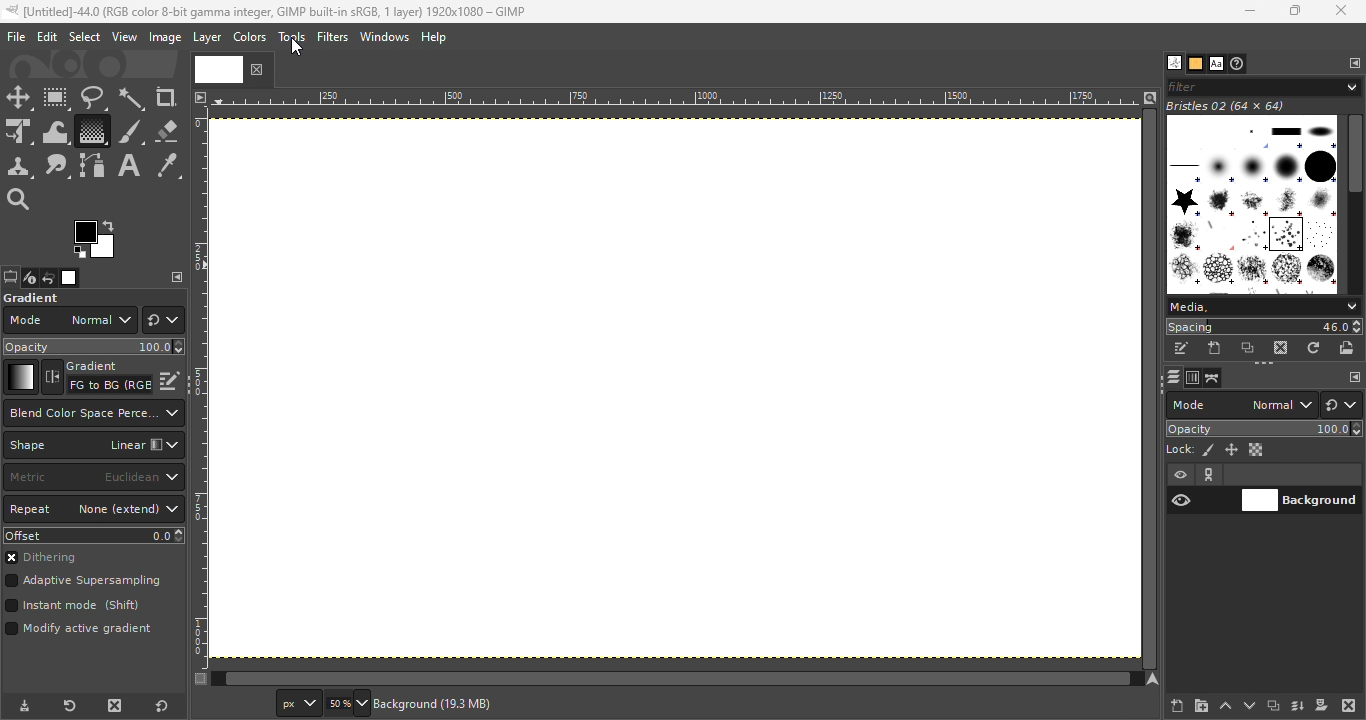  What do you see at coordinates (1353, 378) in the screenshot?
I see `Configure this tab` at bounding box center [1353, 378].